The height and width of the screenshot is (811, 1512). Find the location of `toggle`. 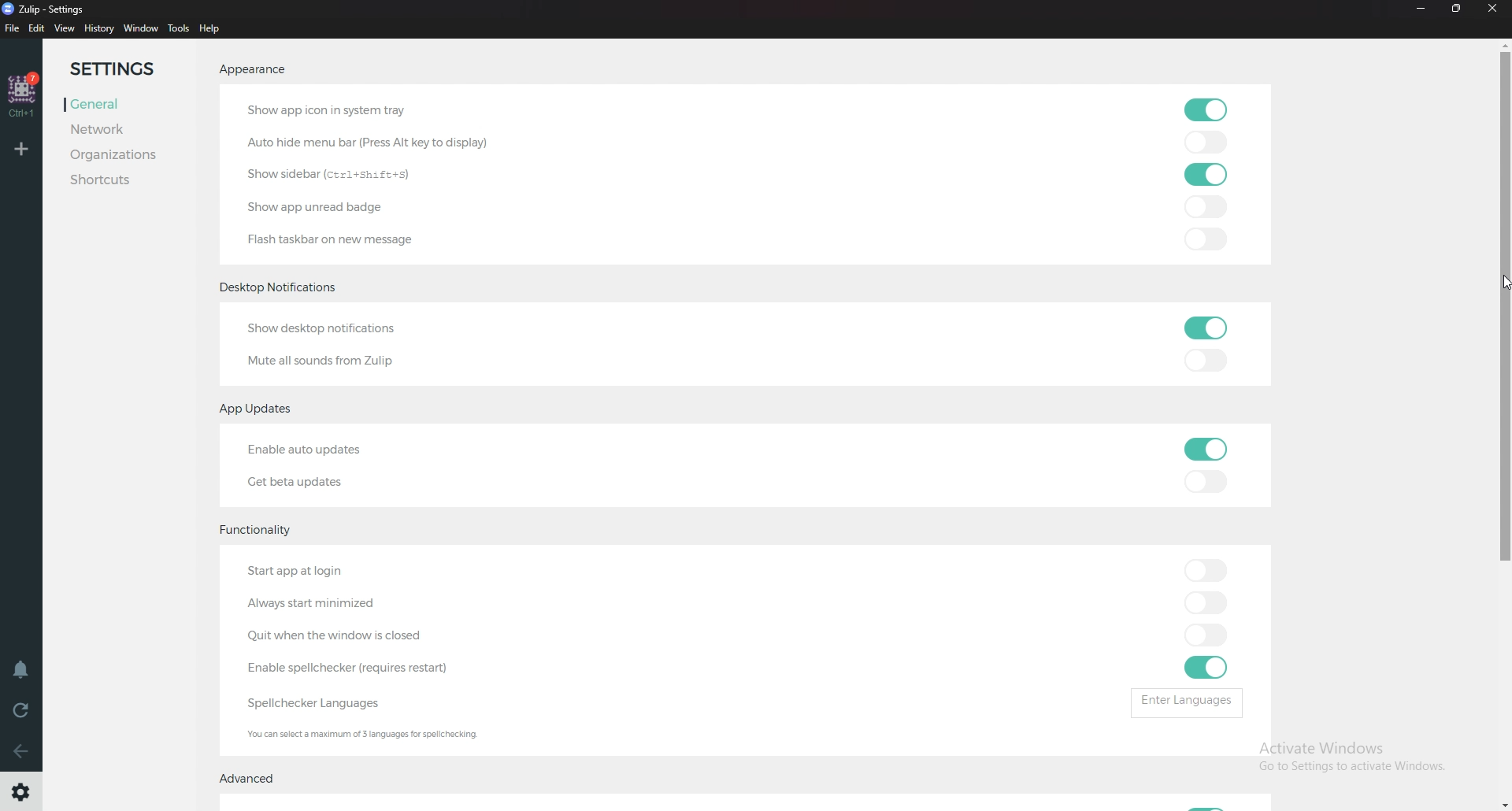

toggle is located at coordinates (1208, 207).